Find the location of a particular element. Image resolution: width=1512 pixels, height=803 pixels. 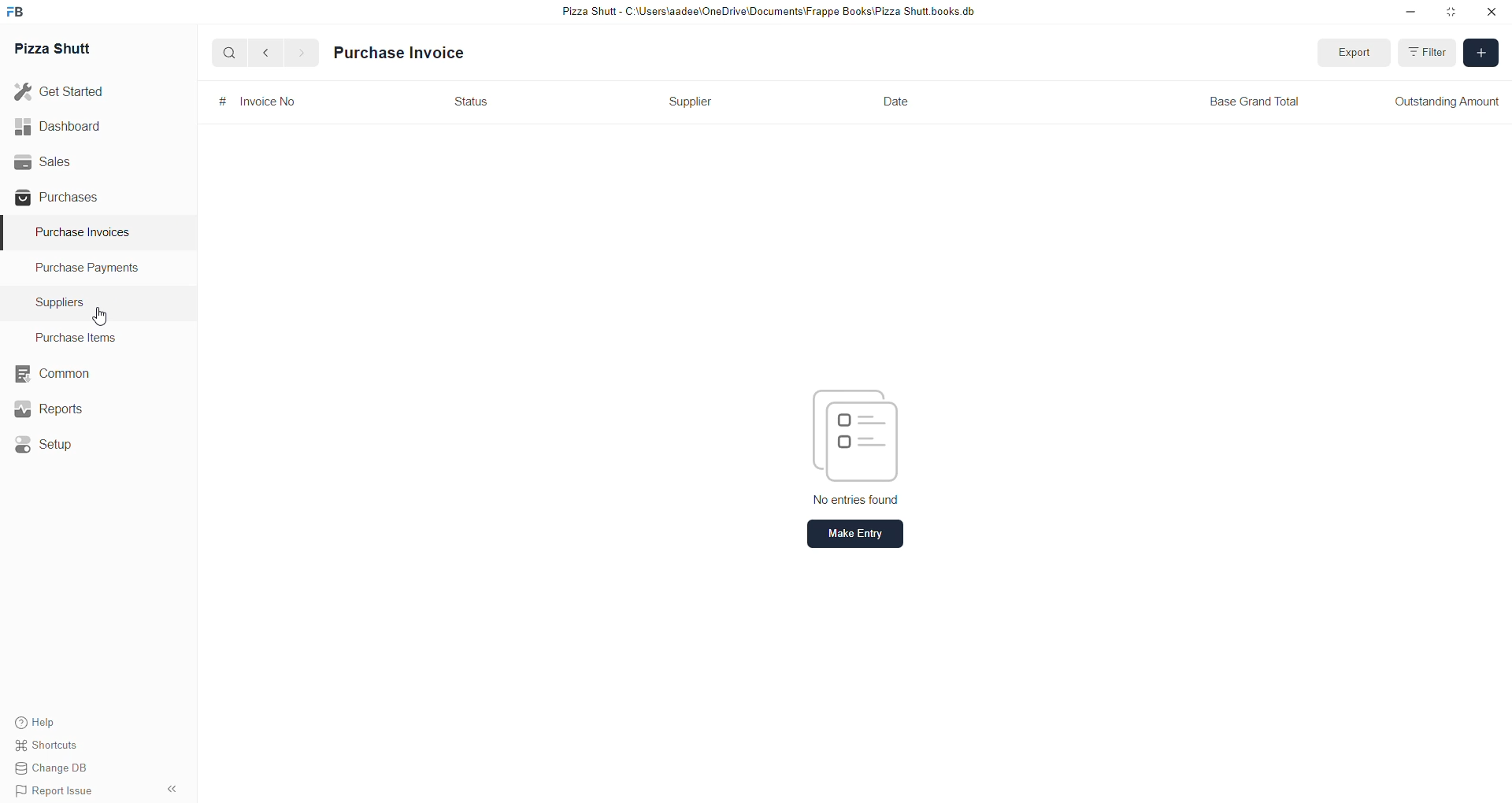

next page is located at coordinates (297, 52).